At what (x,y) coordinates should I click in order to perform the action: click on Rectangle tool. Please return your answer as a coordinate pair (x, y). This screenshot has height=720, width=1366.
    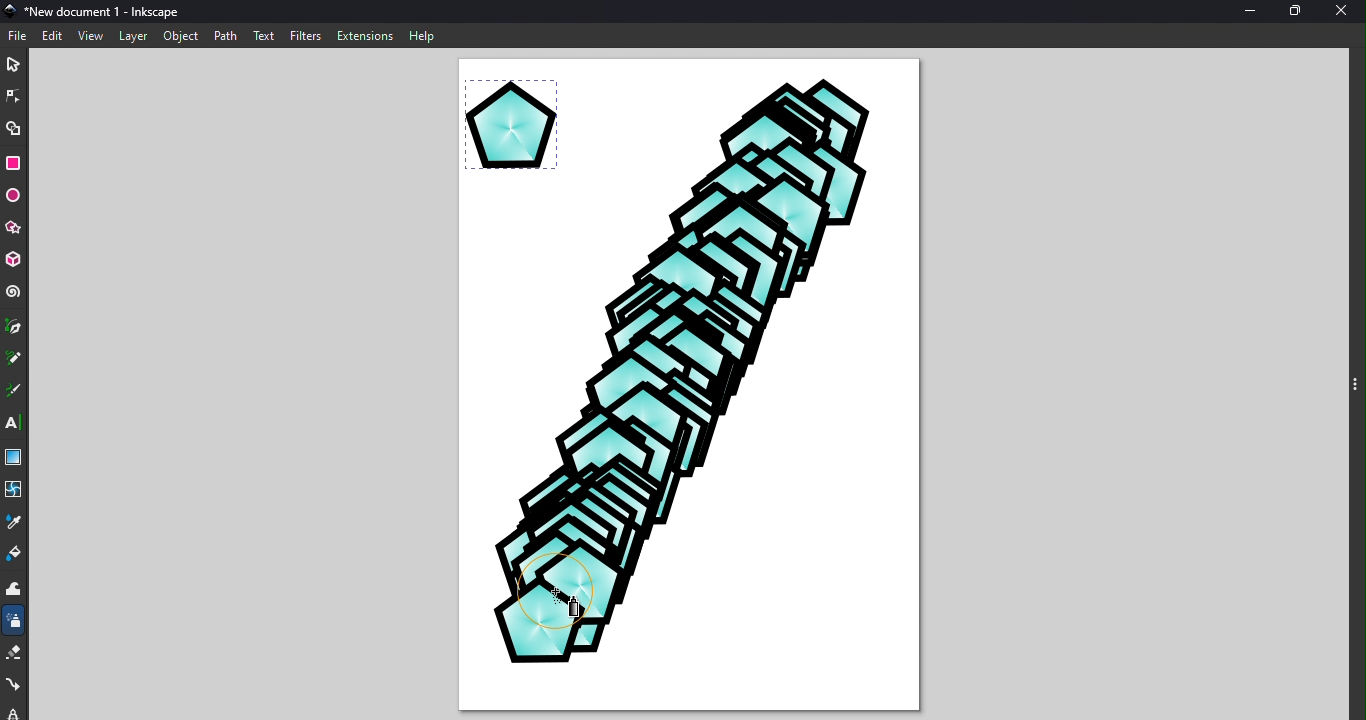
    Looking at the image, I should click on (15, 165).